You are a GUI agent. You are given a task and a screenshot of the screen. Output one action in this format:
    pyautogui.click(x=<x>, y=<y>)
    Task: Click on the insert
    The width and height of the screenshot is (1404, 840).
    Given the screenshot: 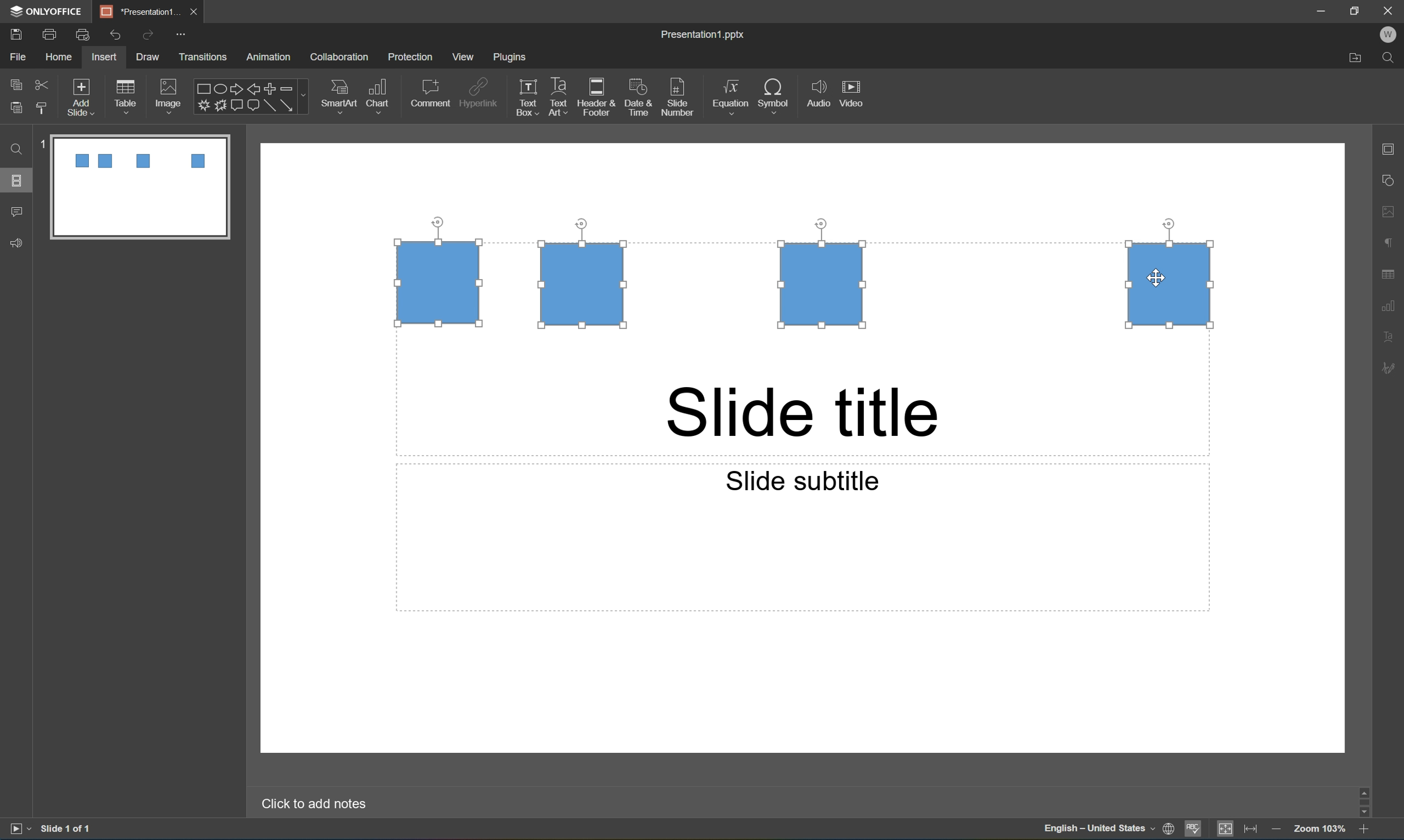 What is the action you would take?
    pyautogui.click(x=105, y=57)
    